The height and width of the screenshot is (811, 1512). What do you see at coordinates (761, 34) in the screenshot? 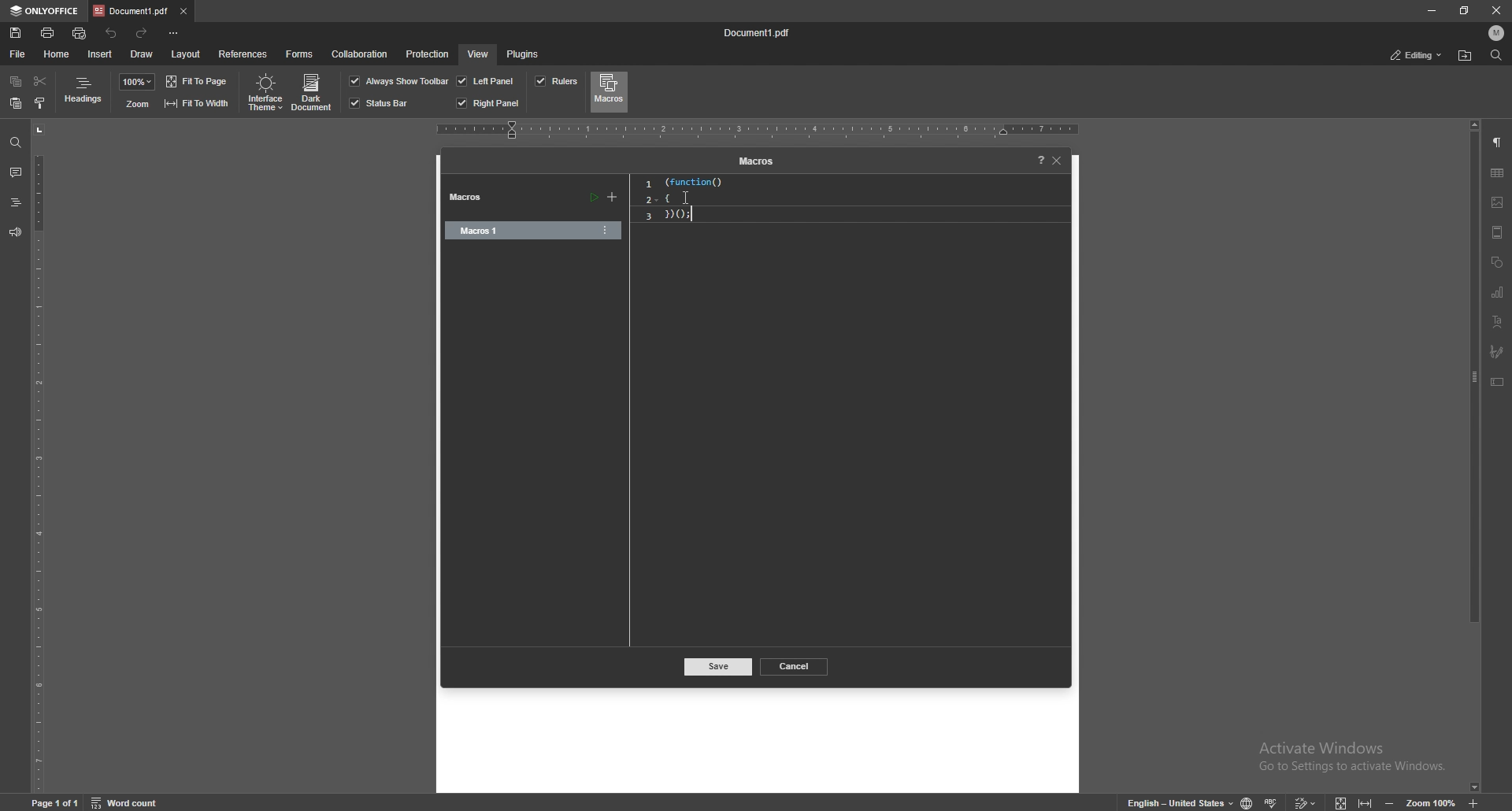
I see `file name` at bounding box center [761, 34].